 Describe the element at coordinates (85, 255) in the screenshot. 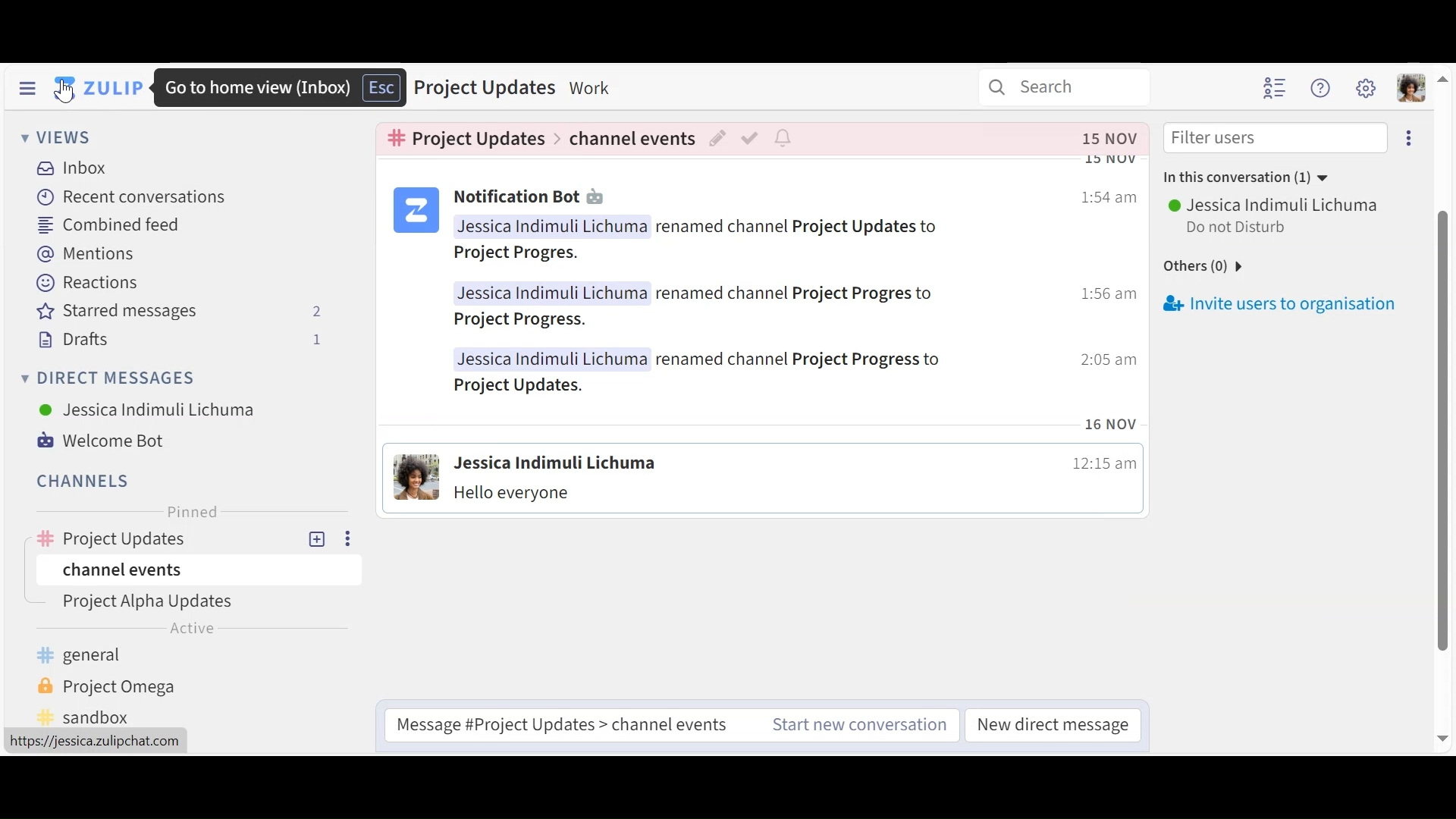

I see `Mentions` at that location.